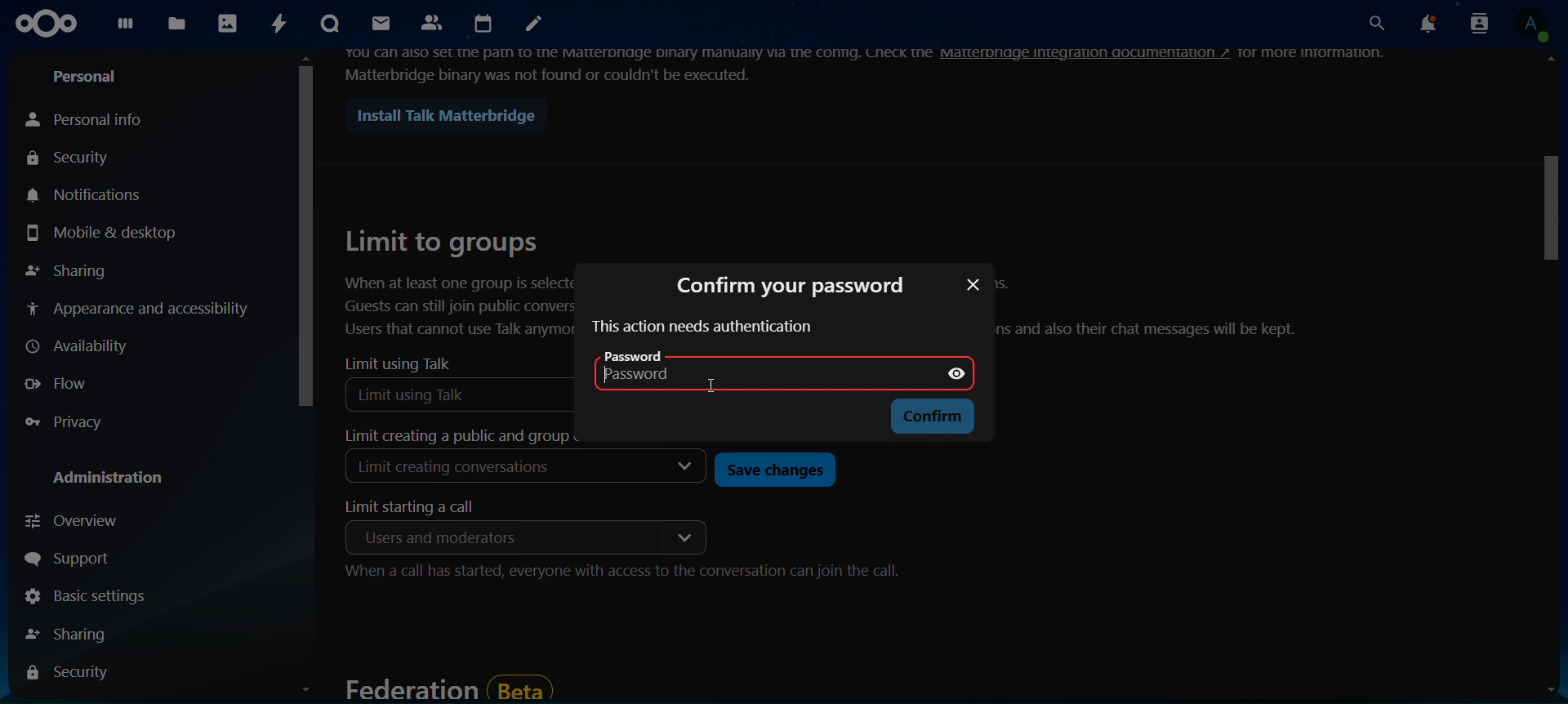  I want to click on confirm, so click(929, 417).